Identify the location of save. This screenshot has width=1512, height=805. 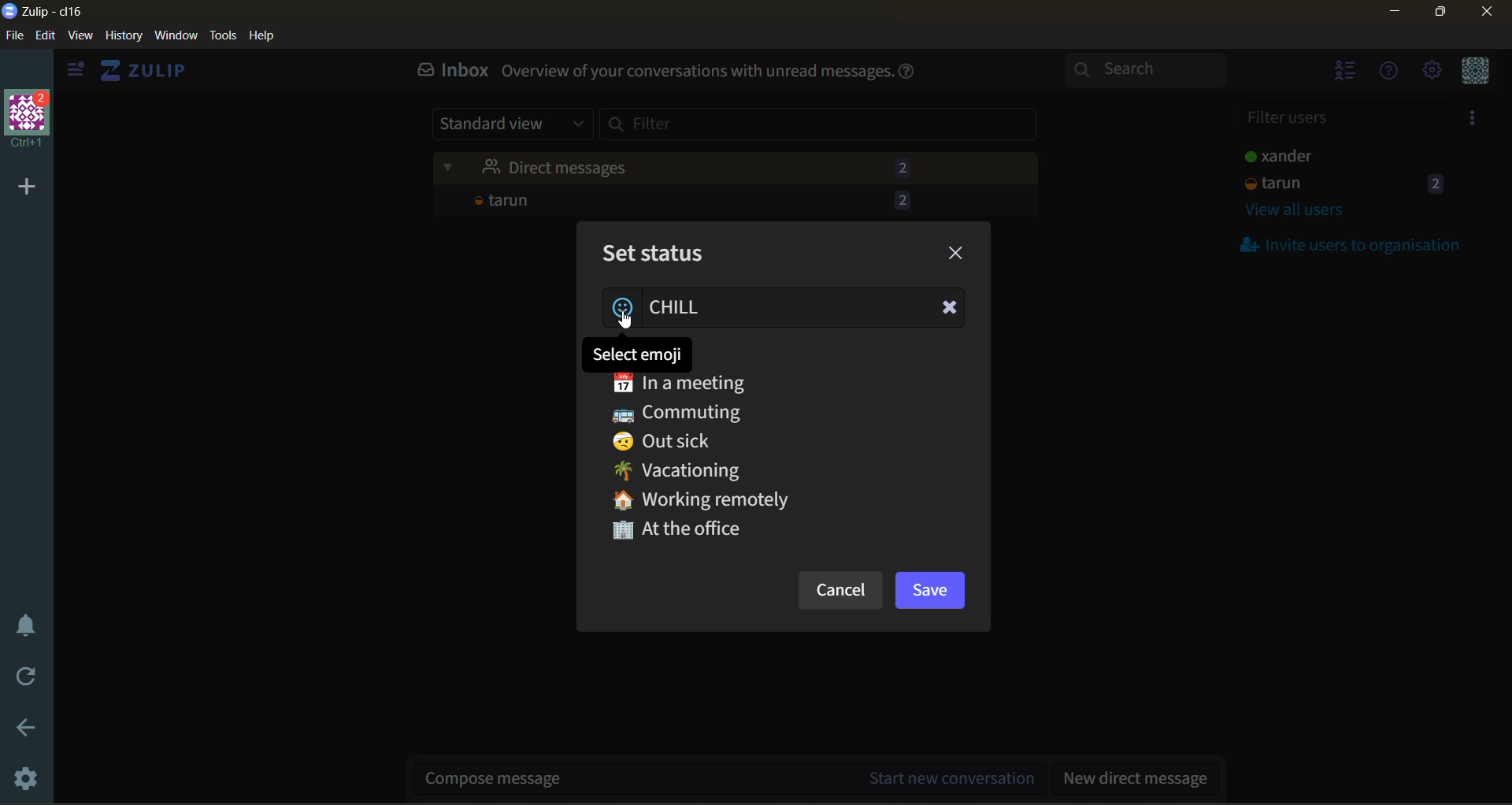
(933, 589).